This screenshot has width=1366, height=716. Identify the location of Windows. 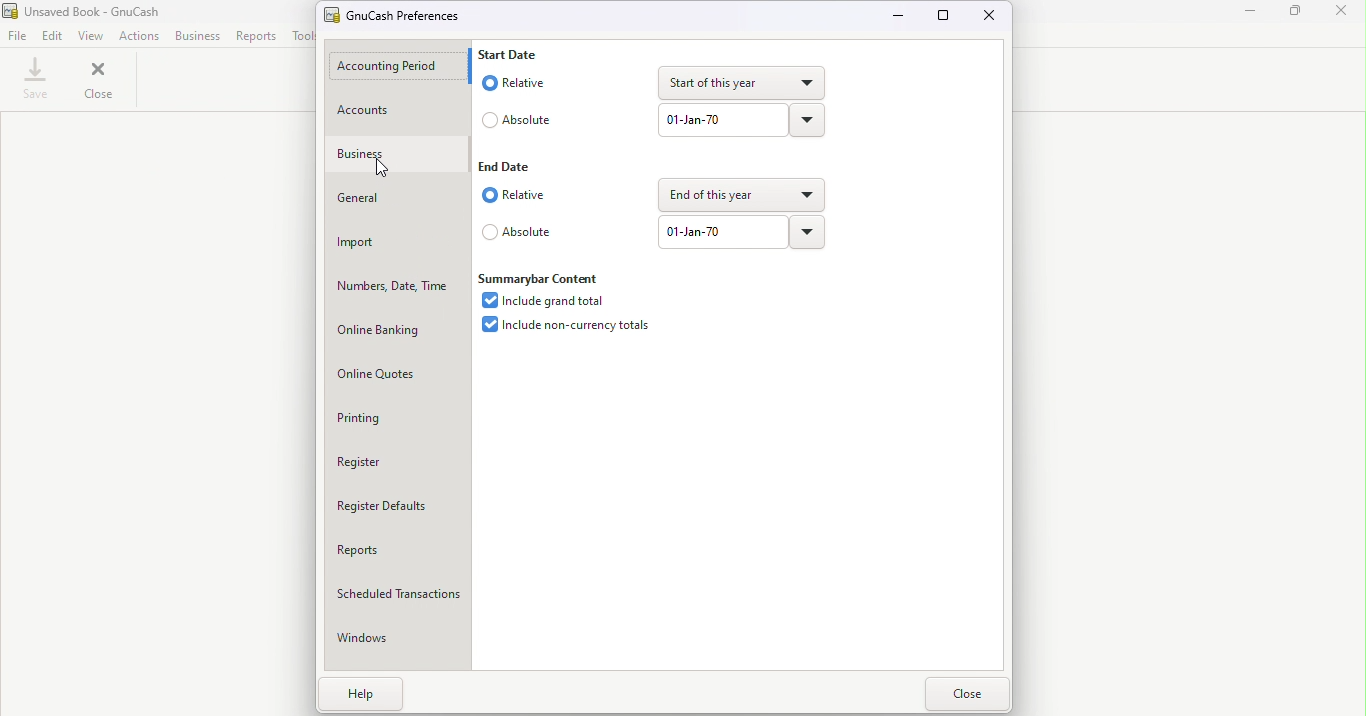
(401, 642).